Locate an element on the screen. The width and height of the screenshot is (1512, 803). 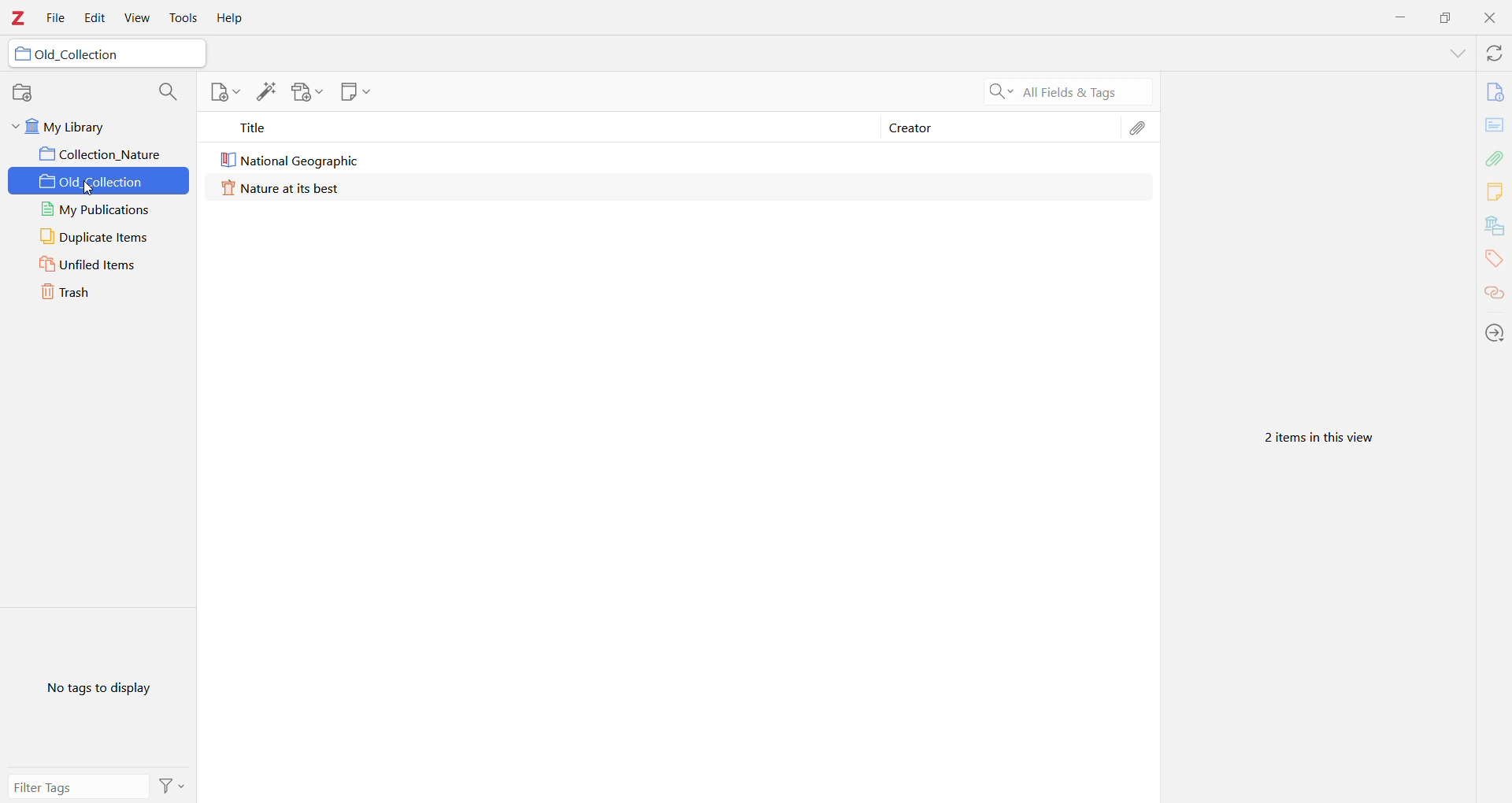
List all Tabs is located at coordinates (1456, 53).